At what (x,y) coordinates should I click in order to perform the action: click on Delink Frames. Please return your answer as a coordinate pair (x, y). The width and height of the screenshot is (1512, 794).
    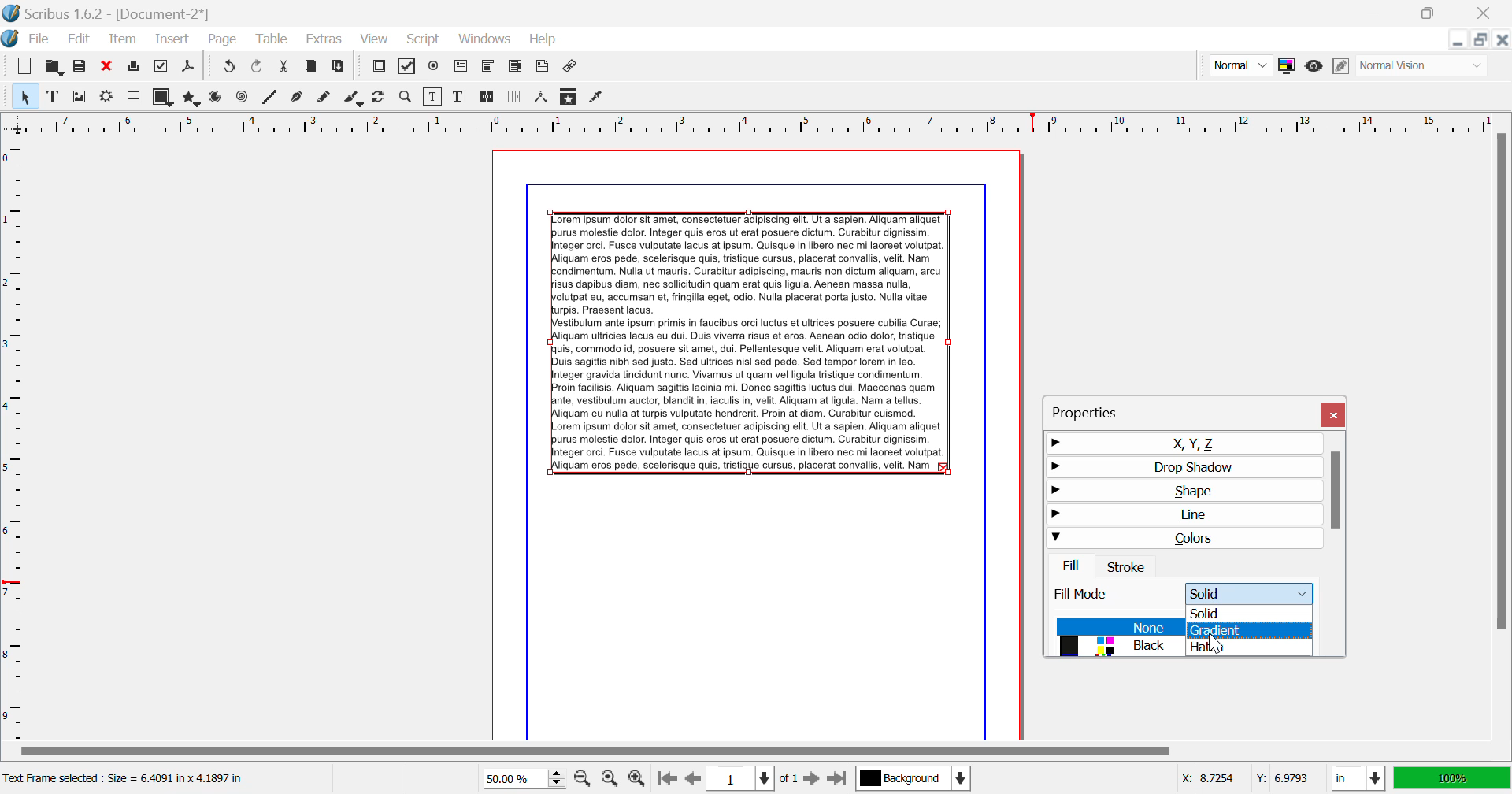
    Looking at the image, I should click on (516, 97).